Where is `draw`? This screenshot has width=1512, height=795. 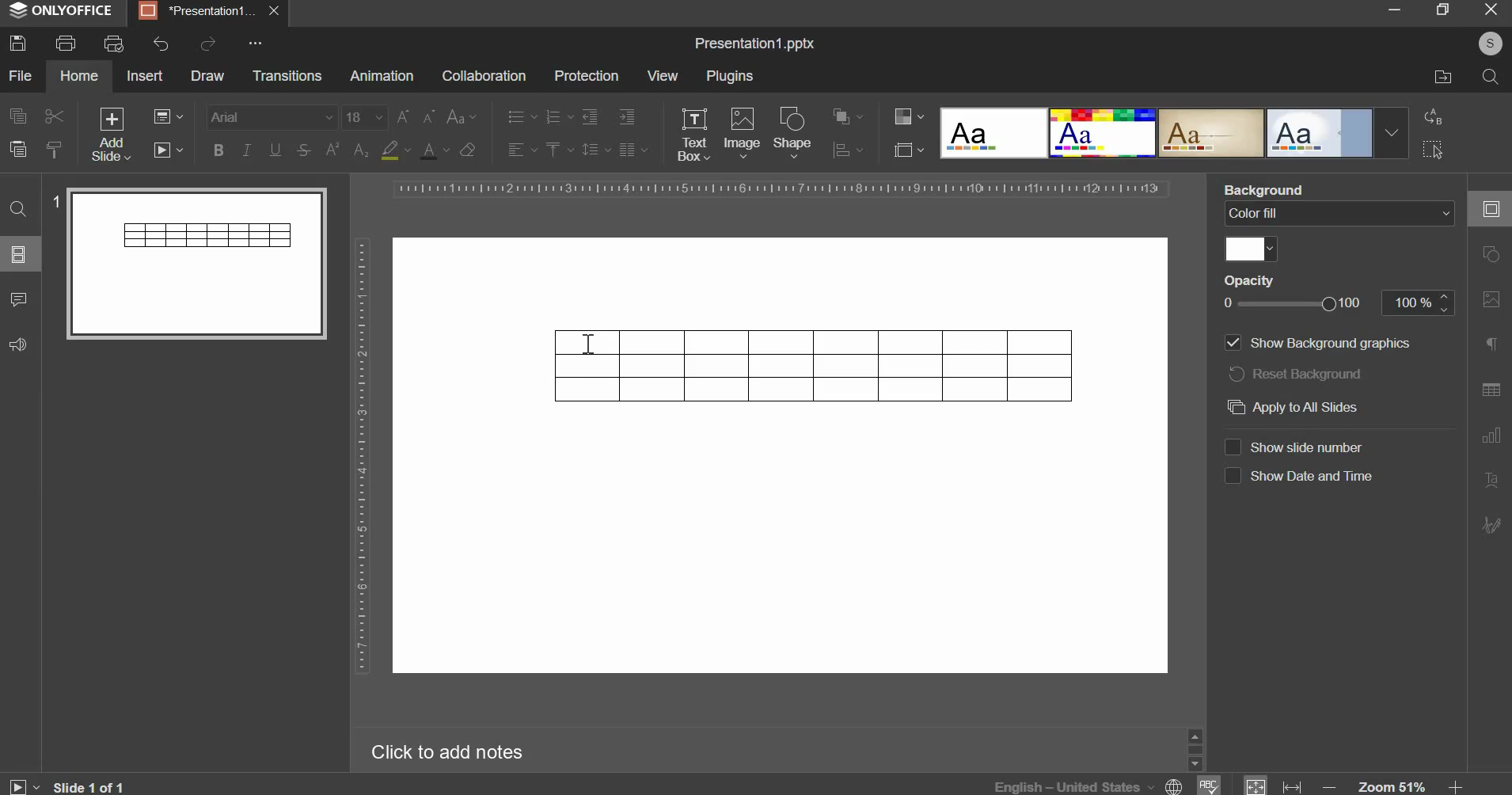
draw is located at coordinates (208, 75).